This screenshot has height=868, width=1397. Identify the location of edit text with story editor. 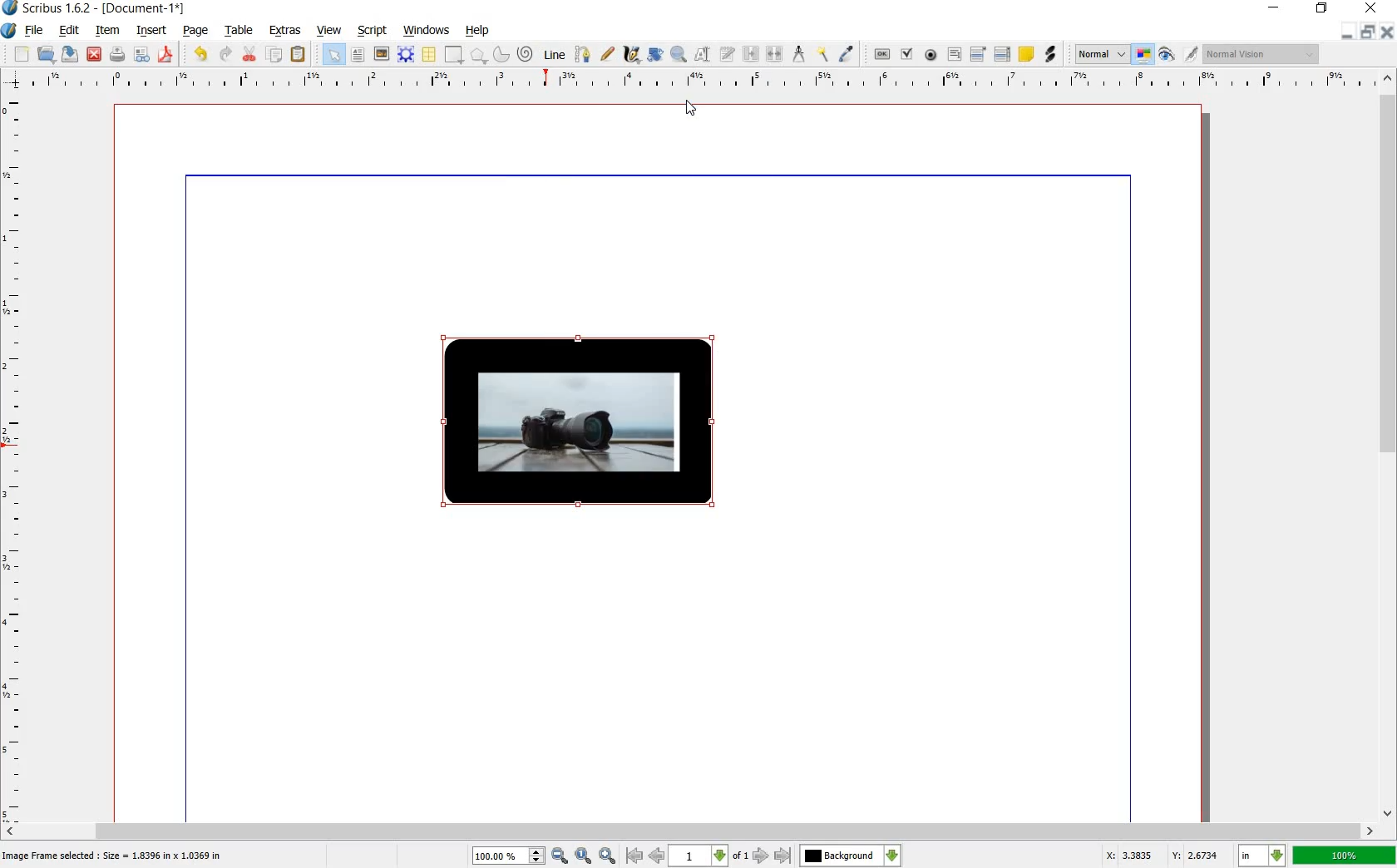
(728, 54).